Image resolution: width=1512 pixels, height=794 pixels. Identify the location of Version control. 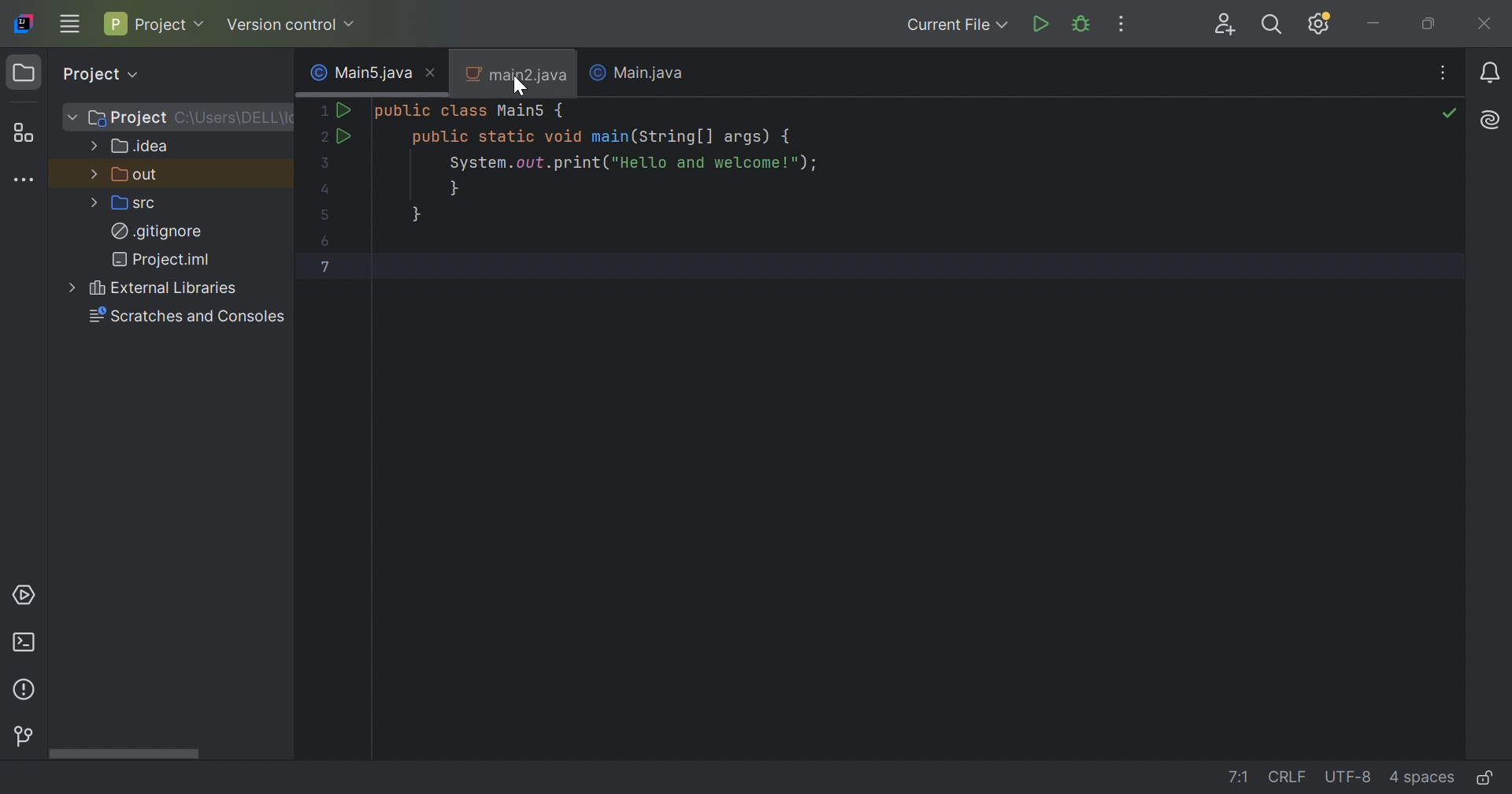
(24, 736).